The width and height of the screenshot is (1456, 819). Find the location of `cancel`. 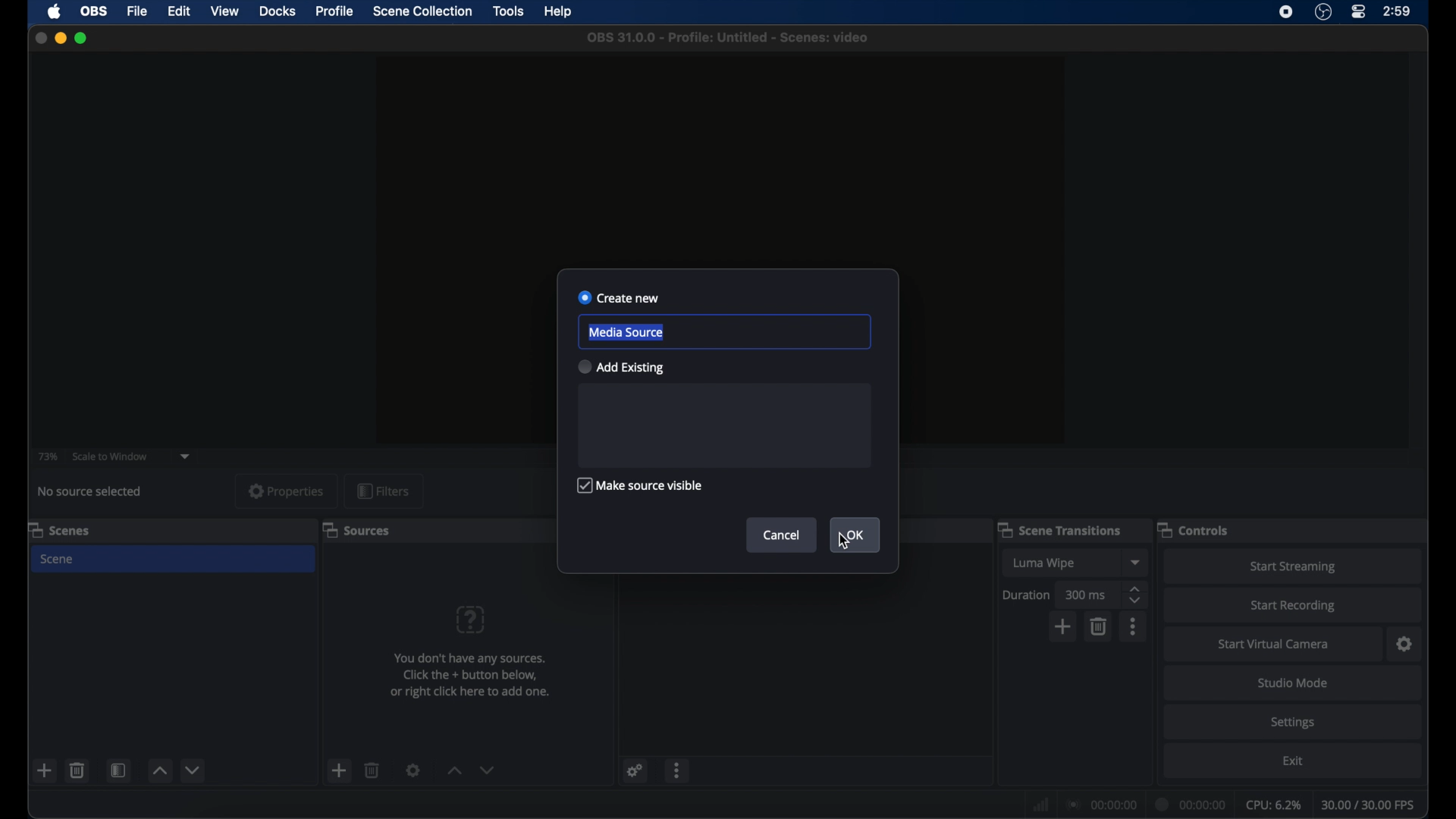

cancel is located at coordinates (784, 535).